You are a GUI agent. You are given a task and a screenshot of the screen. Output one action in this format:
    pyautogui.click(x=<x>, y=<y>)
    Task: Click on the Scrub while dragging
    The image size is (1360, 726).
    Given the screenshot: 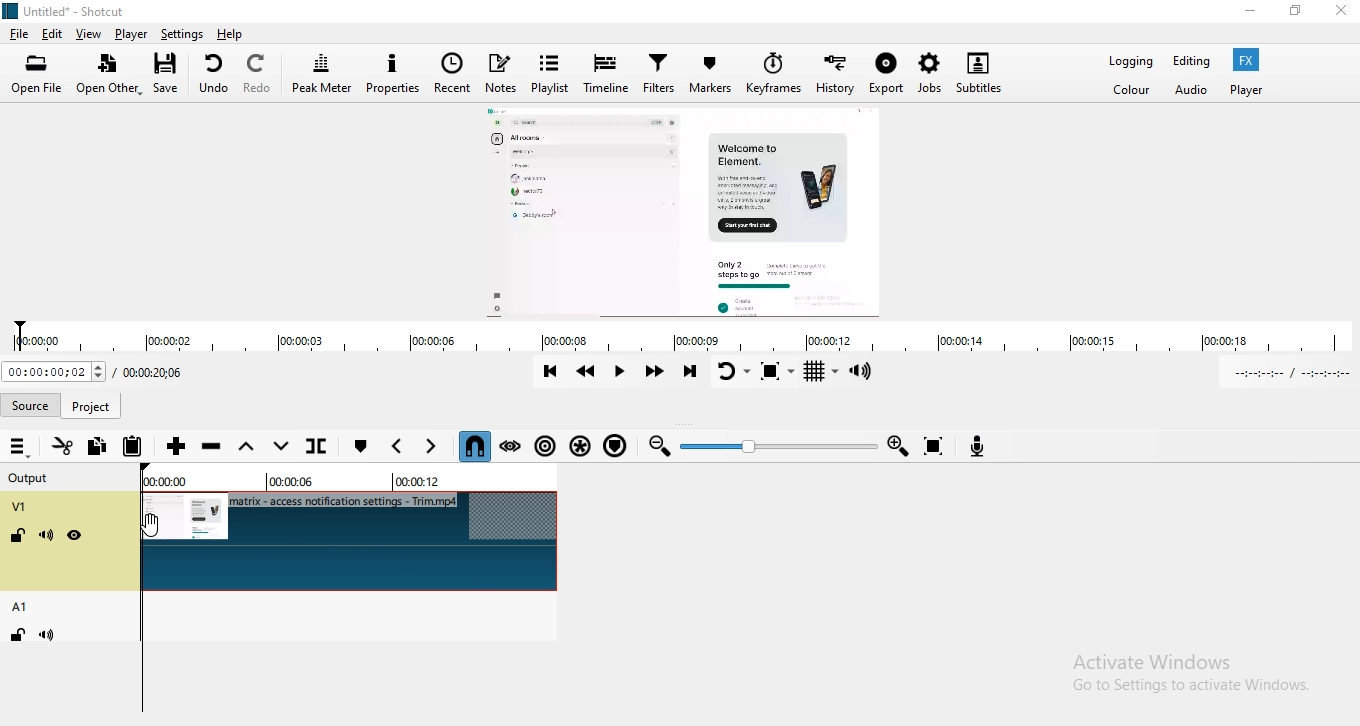 What is the action you would take?
    pyautogui.click(x=509, y=445)
    